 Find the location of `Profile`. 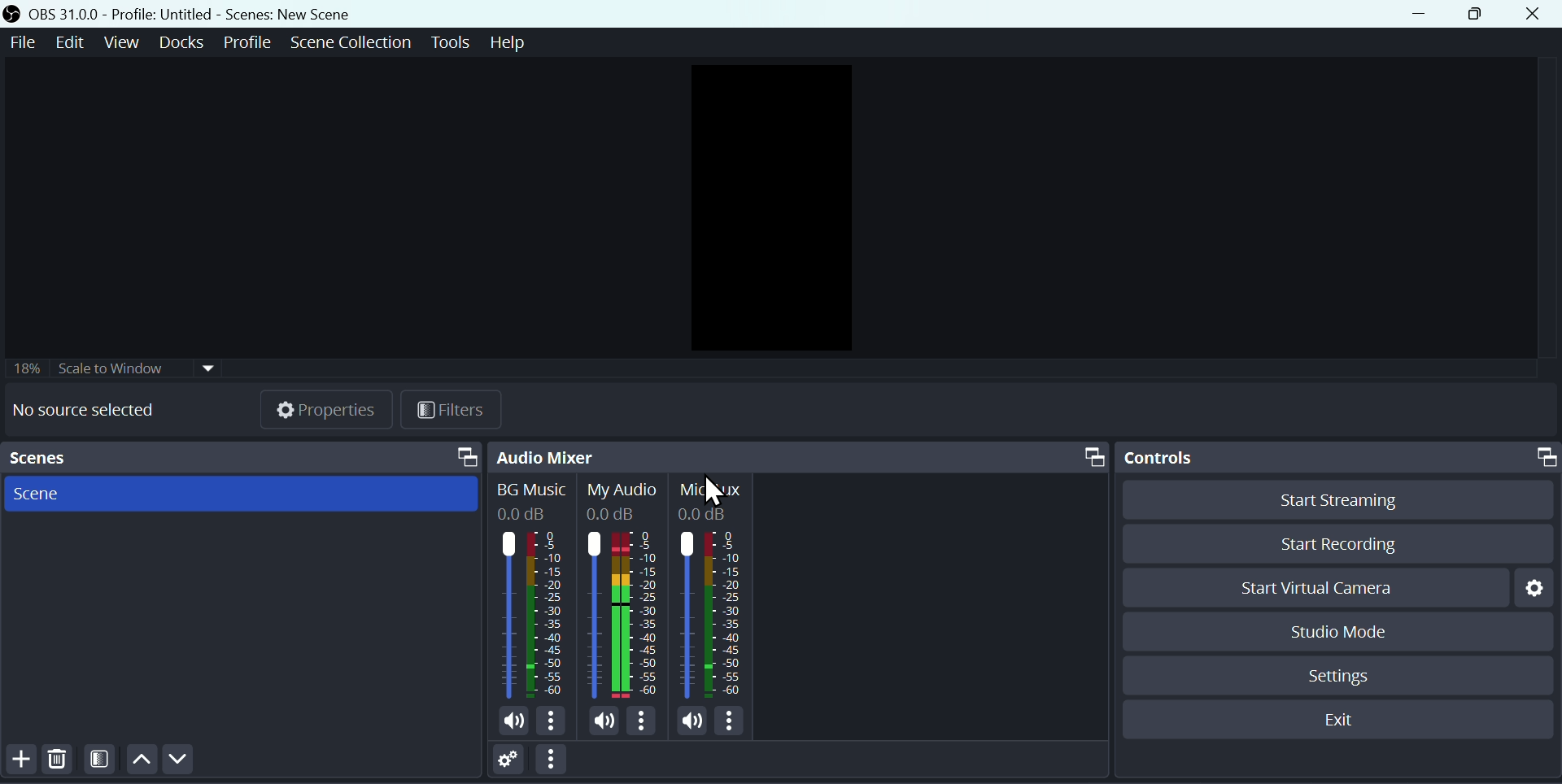

Profile is located at coordinates (249, 43).